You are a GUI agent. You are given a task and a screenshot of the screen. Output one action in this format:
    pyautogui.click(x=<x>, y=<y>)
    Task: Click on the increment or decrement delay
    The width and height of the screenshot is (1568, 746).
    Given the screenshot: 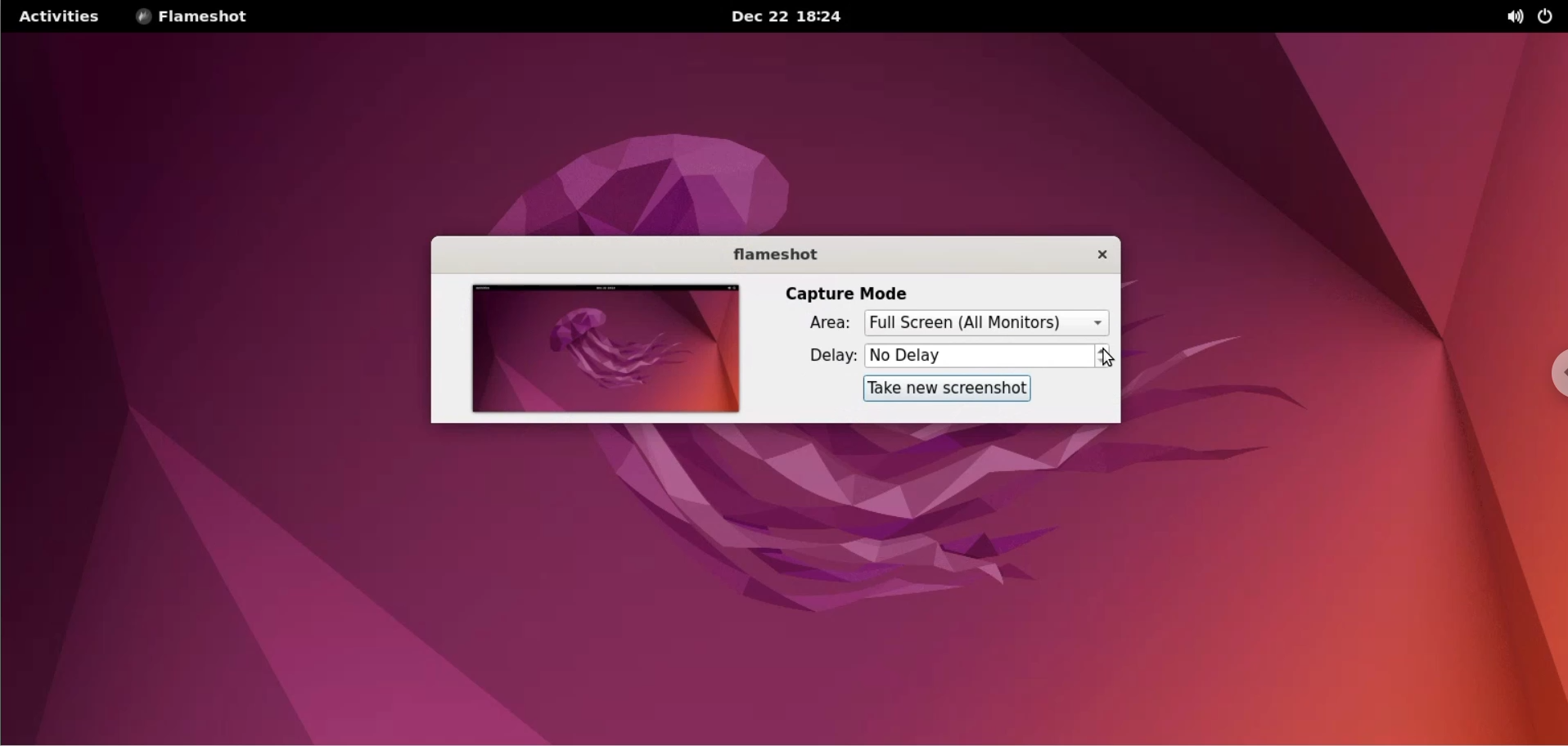 What is the action you would take?
    pyautogui.click(x=1108, y=354)
    